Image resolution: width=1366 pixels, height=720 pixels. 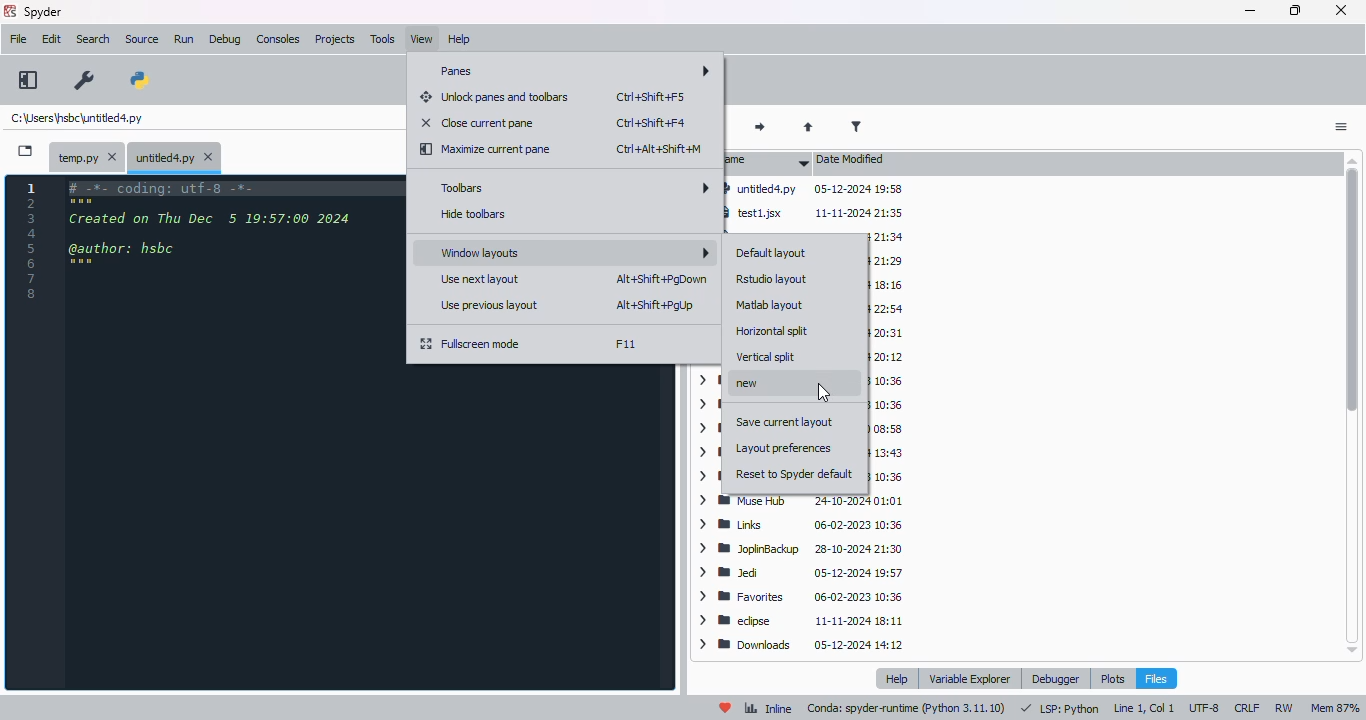 What do you see at coordinates (572, 187) in the screenshot?
I see `toolbars` at bounding box center [572, 187].